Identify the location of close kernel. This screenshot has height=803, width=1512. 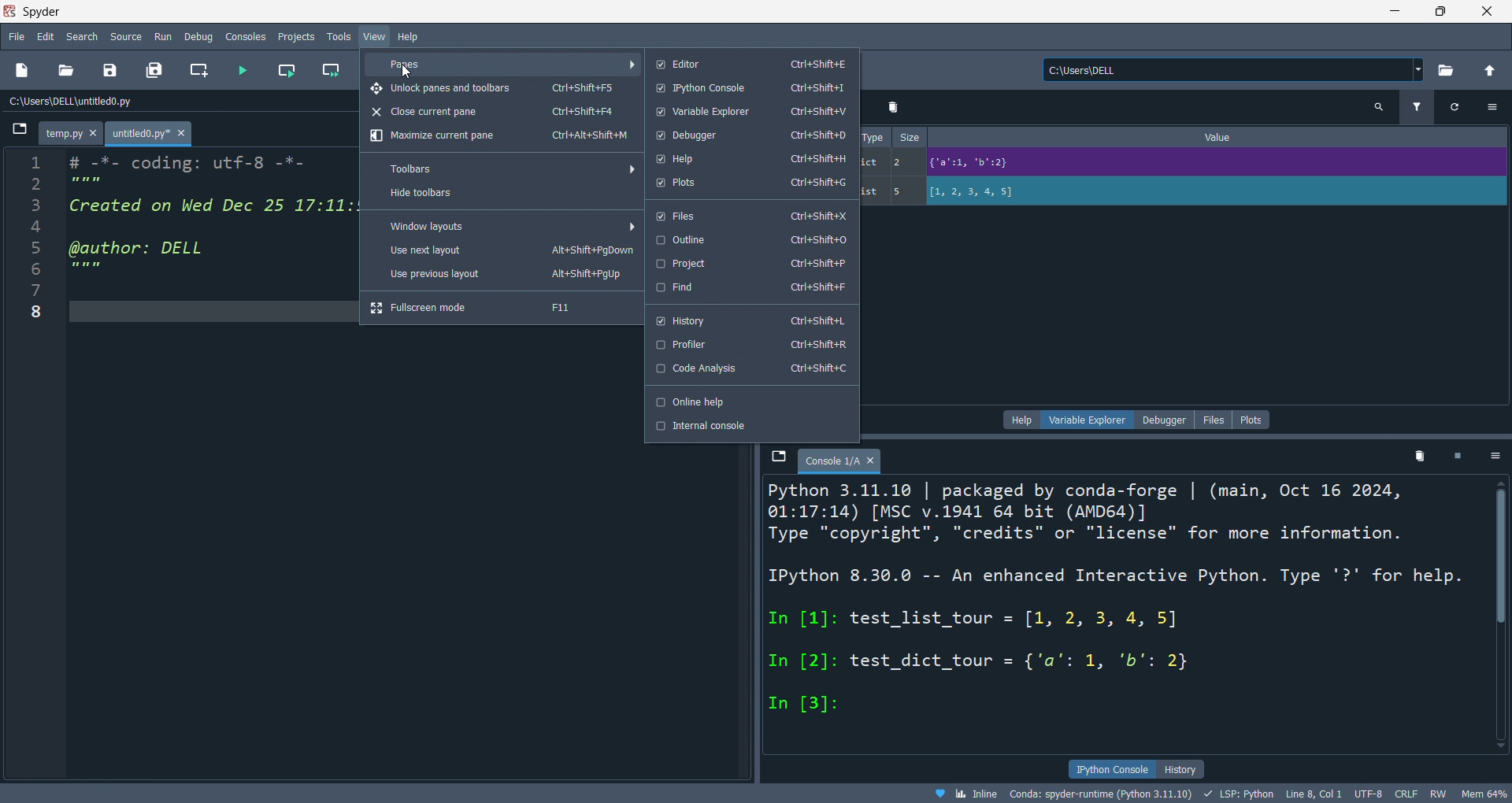
(1459, 458).